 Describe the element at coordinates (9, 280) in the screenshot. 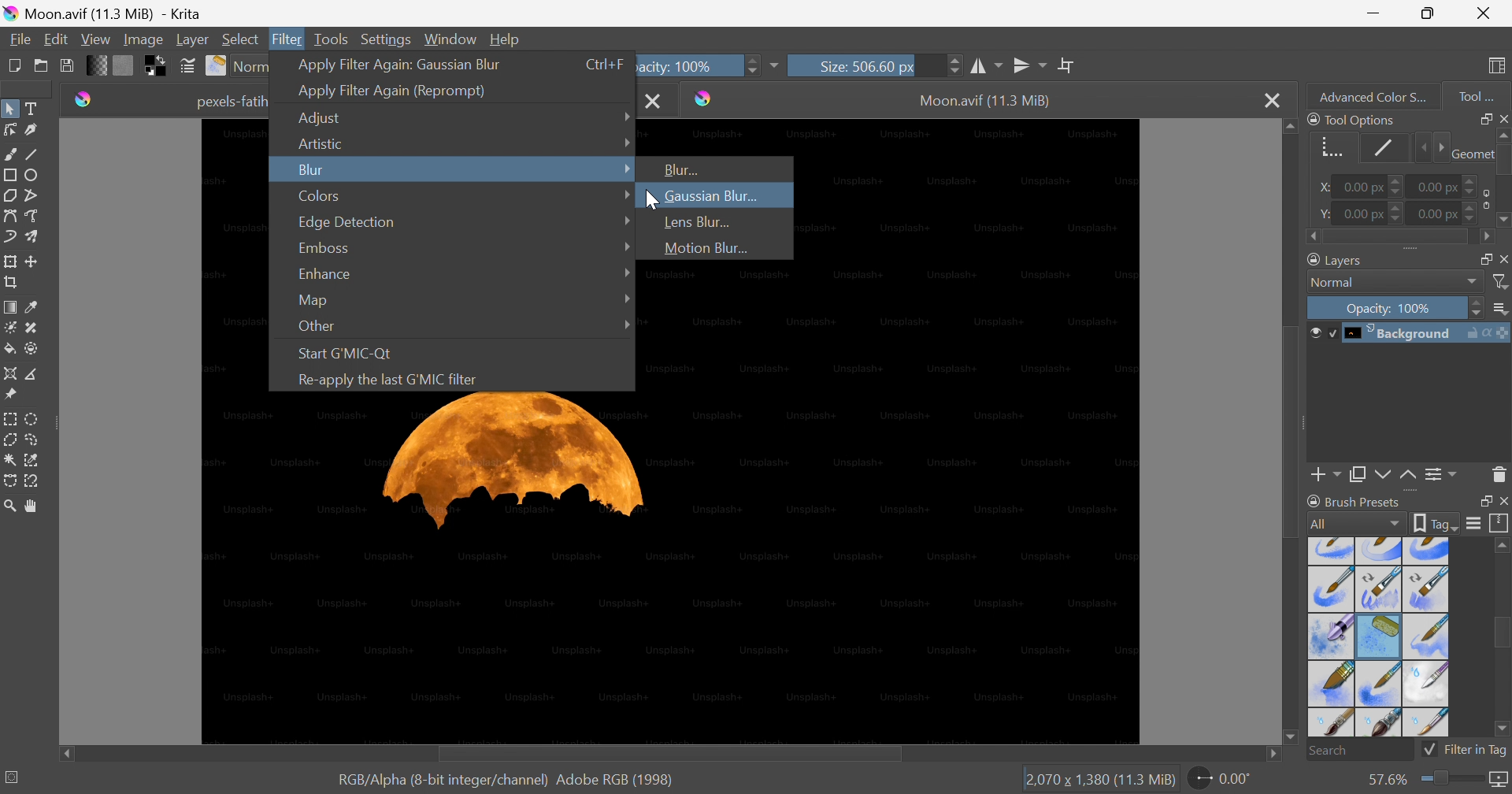

I see `Crop an image to an area` at that location.